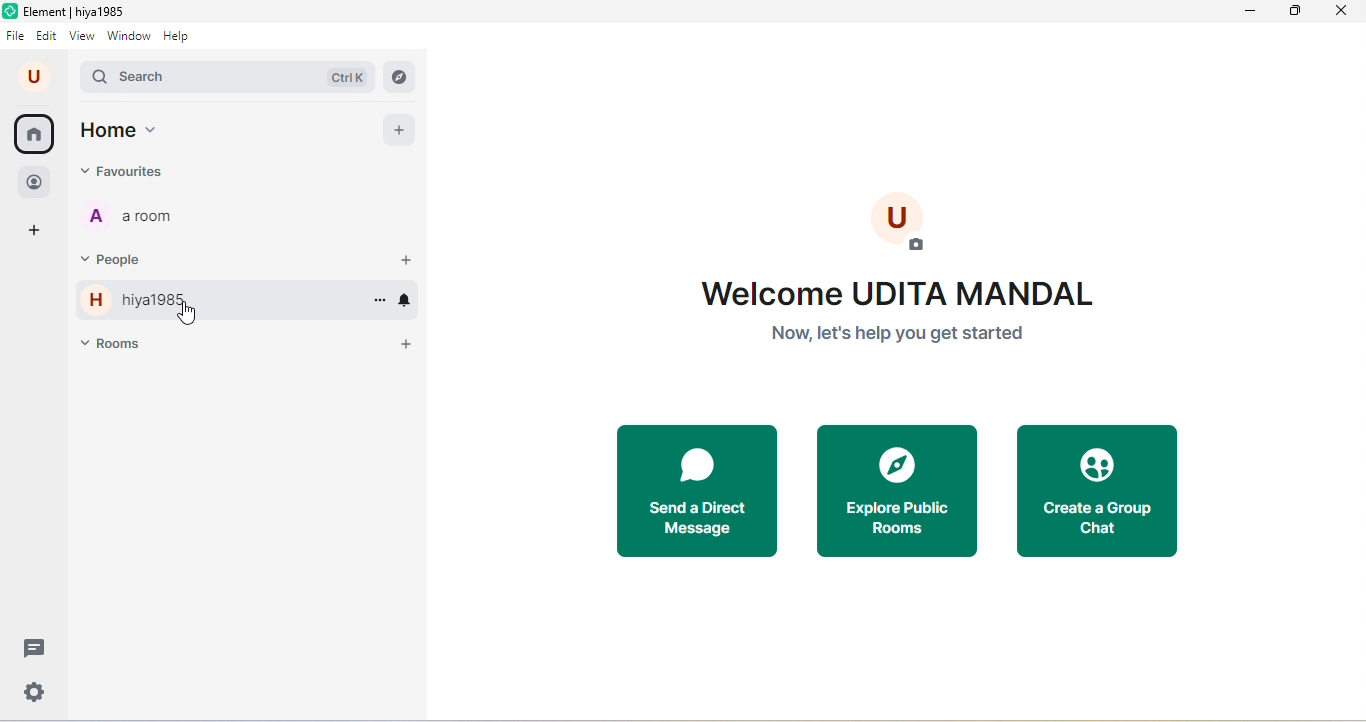 This screenshot has width=1366, height=722. What do you see at coordinates (694, 491) in the screenshot?
I see `Send a DirectMessag` at bounding box center [694, 491].